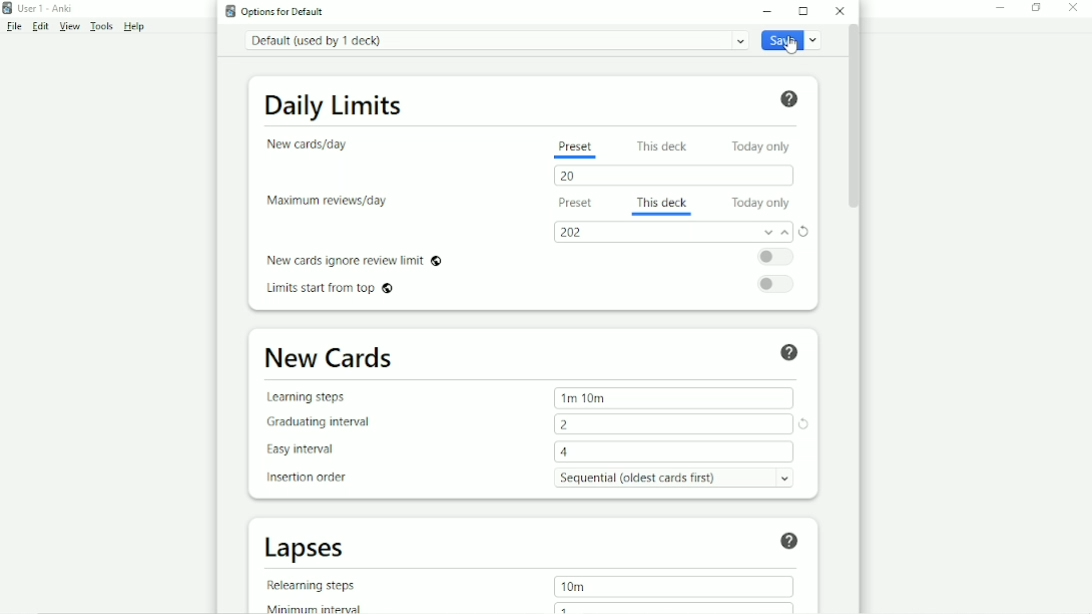  I want to click on Default (used by 1 deck), so click(495, 40).